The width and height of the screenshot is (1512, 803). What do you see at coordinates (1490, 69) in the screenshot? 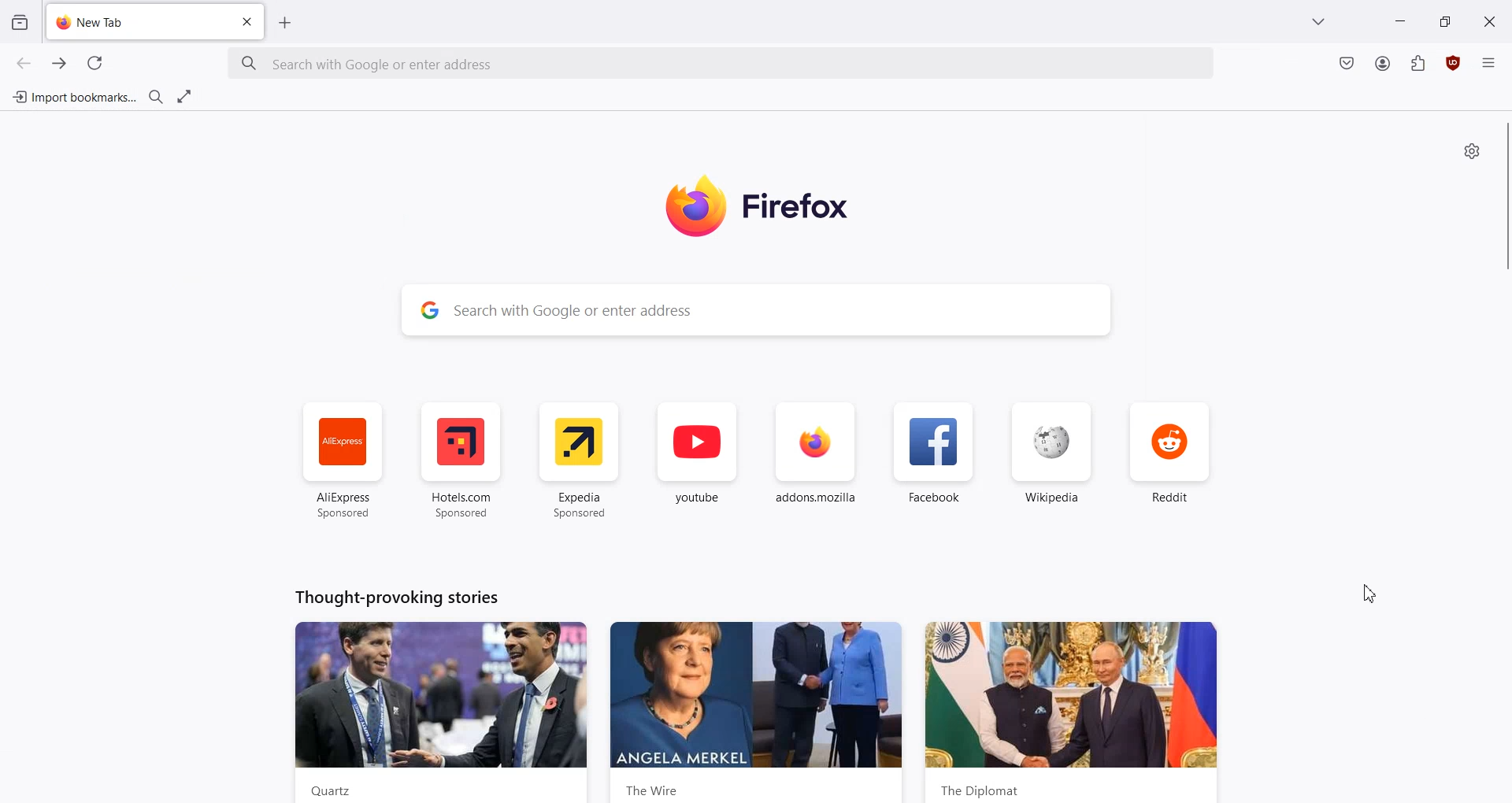
I see `Open Application menu` at bounding box center [1490, 69].